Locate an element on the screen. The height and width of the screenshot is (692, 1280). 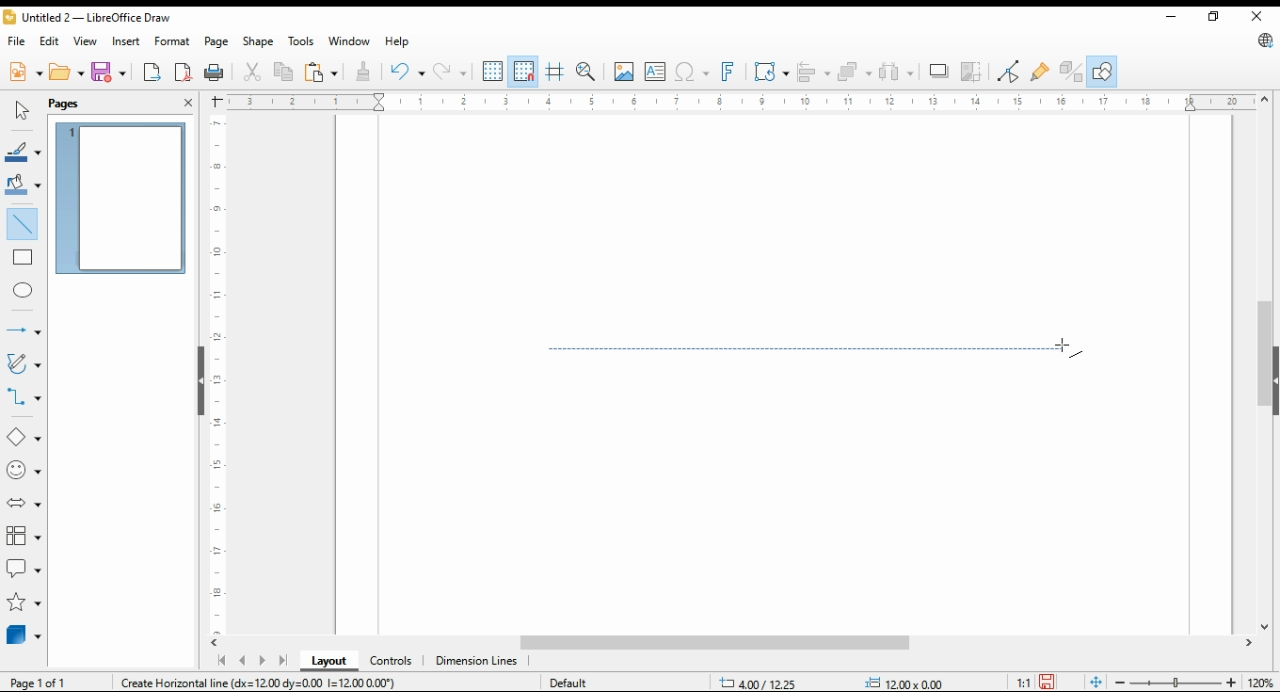
insert text box is located at coordinates (655, 71).